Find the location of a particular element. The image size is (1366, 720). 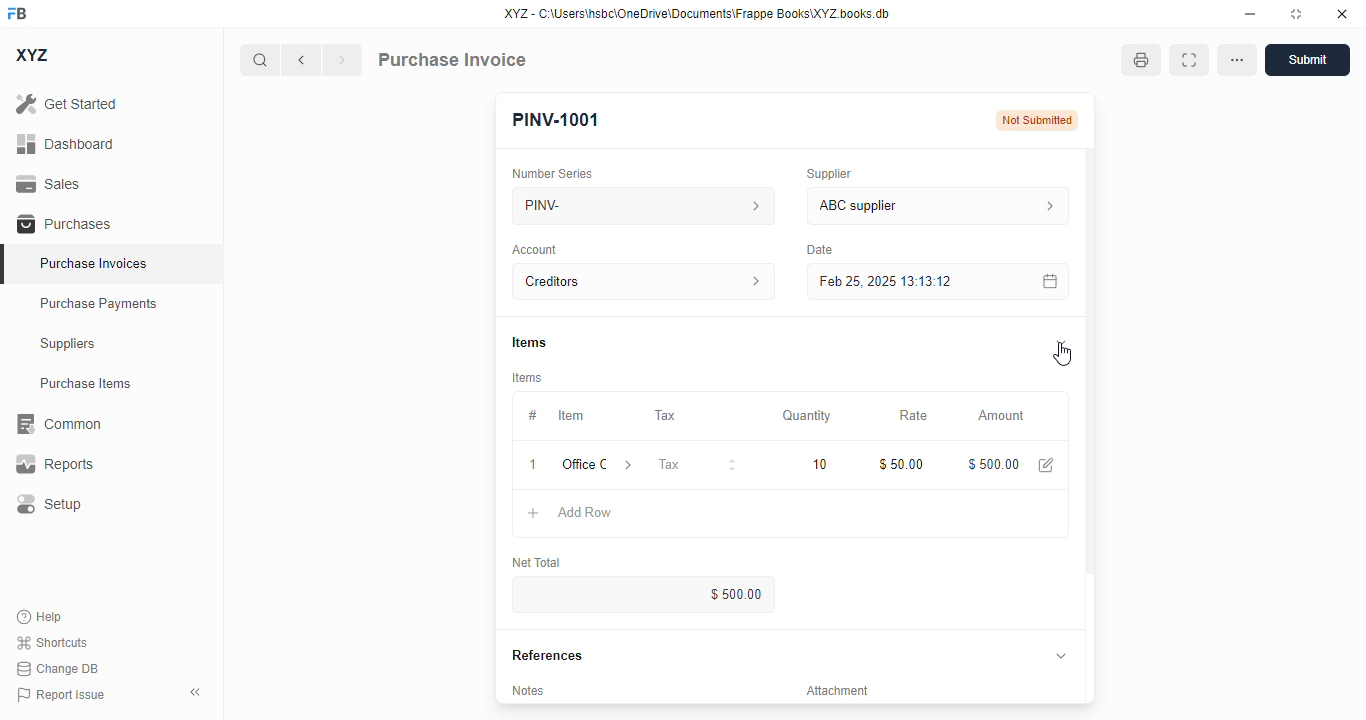

purchase invoice is located at coordinates (451, 59).